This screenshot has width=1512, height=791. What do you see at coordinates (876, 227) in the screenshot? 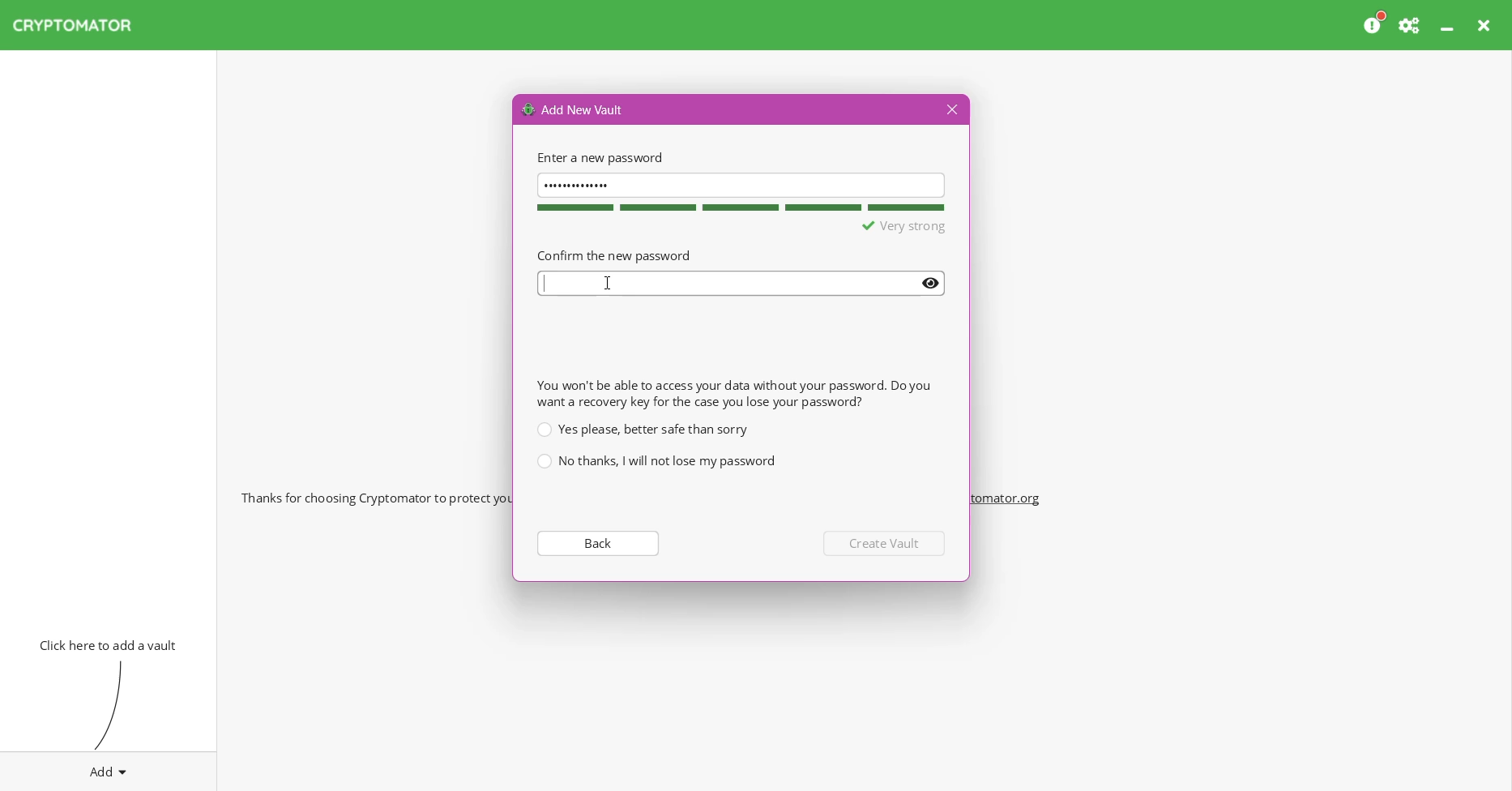
I see `Use atleast 8 characters` at bounding box center [876, 227].